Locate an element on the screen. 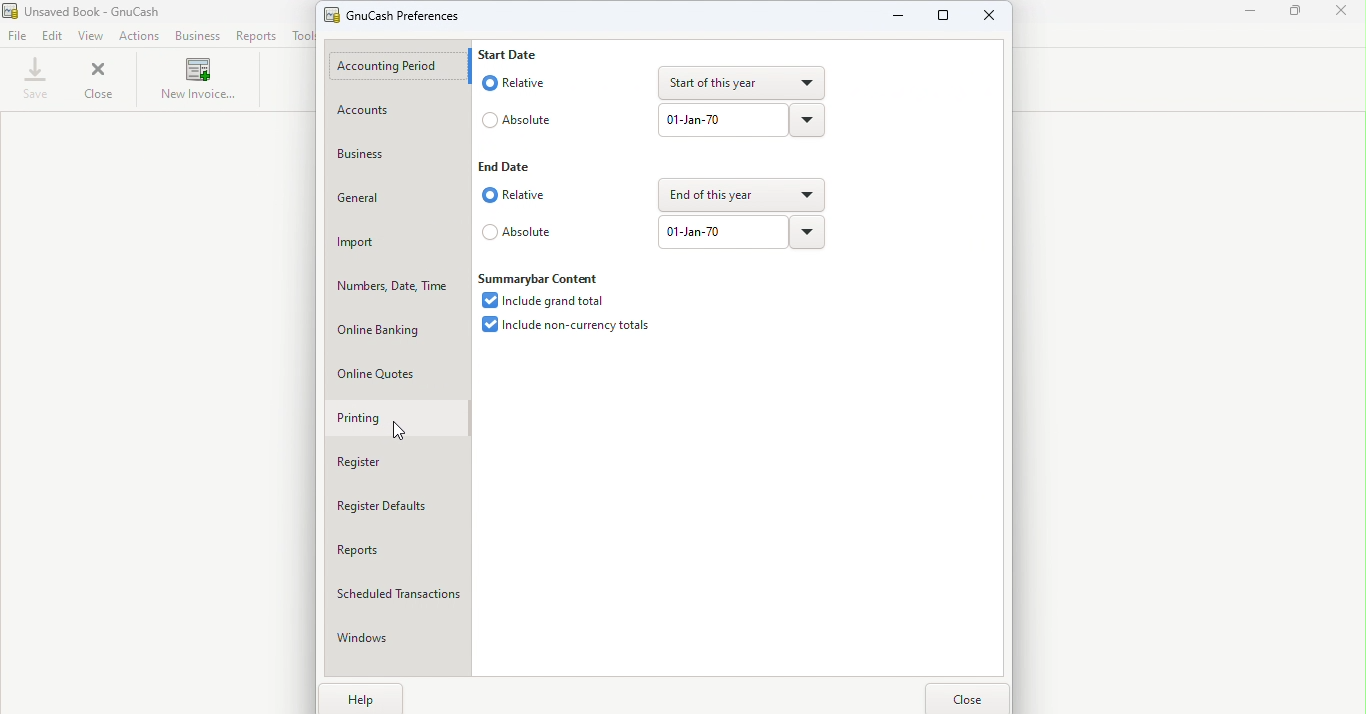 The height and width of the screenshot is (714, 1366). Tools is located at coordinates (300, 35).